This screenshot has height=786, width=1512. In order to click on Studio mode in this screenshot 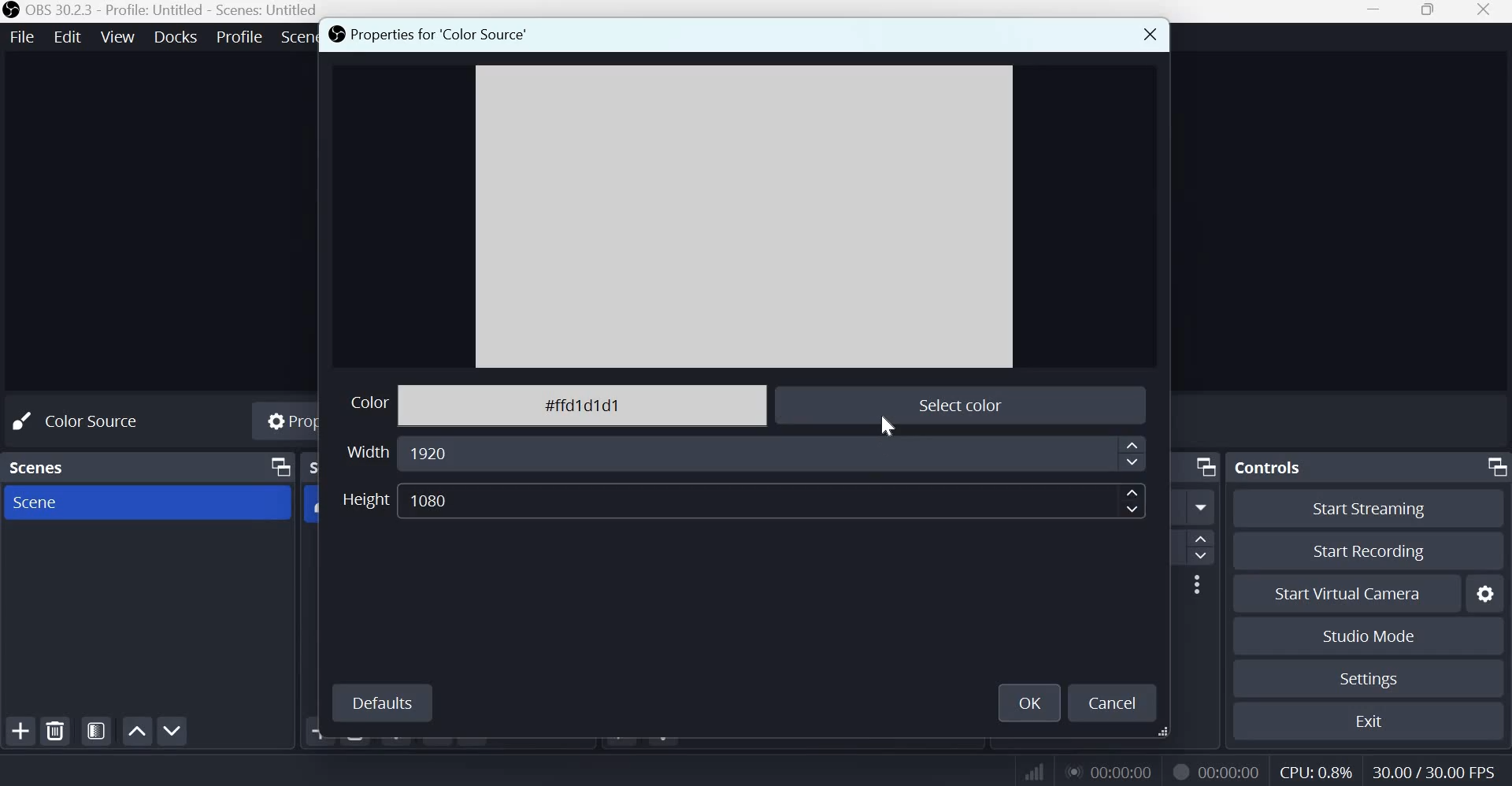, I will do `click(1366, 636)`.